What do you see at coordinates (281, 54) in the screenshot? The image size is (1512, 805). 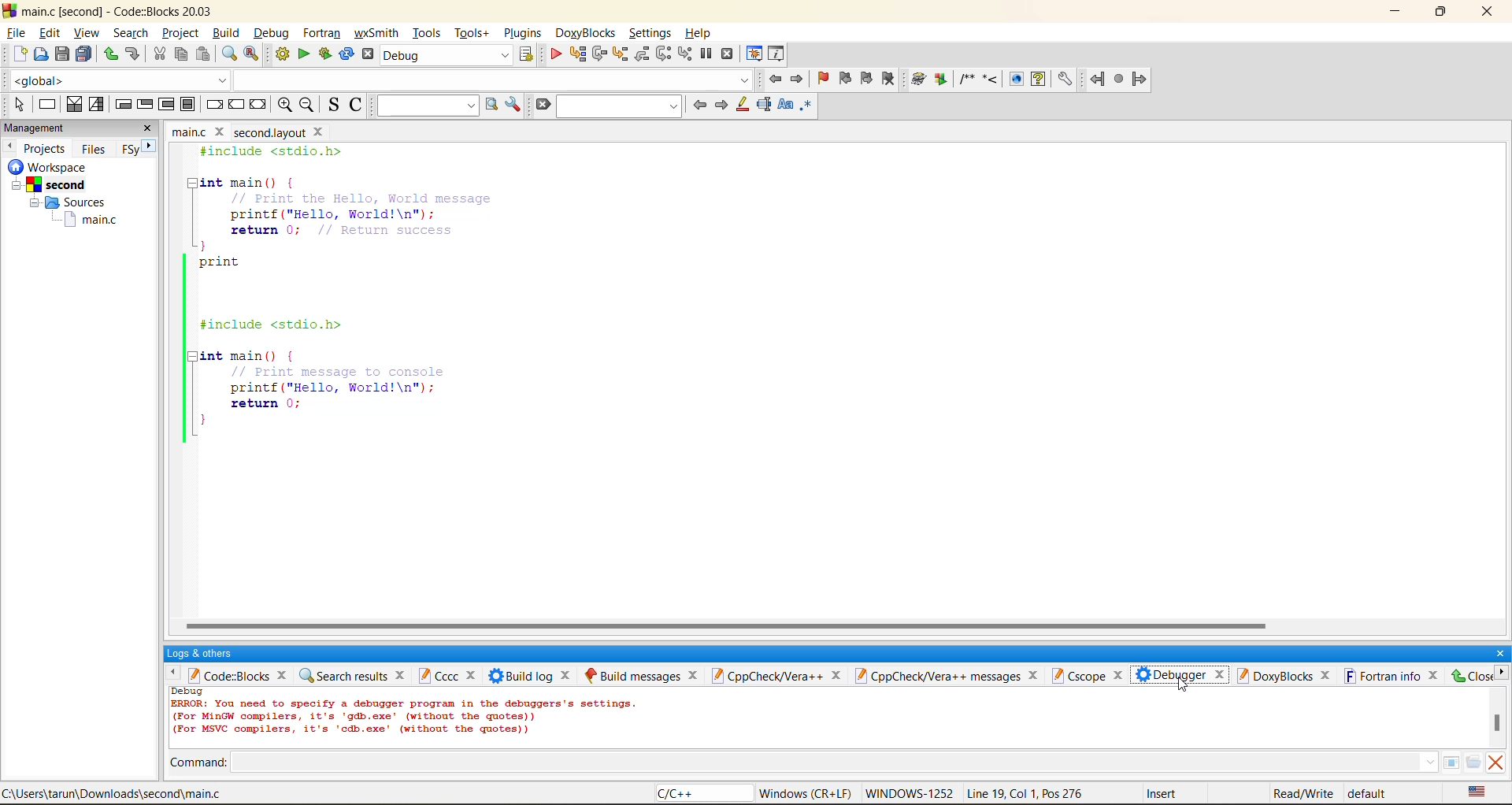 I see `build` at bounding box center [281, 54].